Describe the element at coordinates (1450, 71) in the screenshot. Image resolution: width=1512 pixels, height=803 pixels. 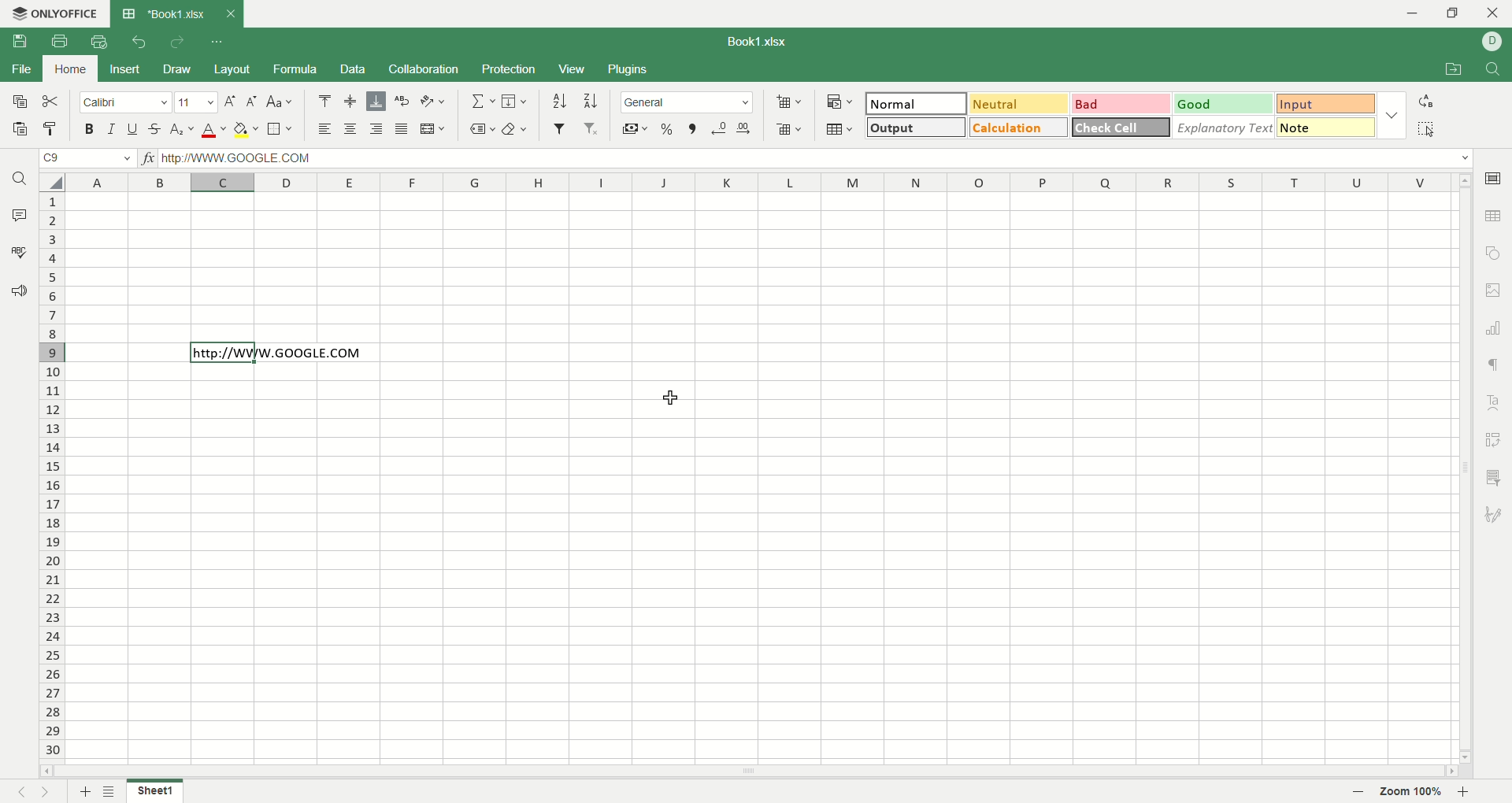
I see `open file location` at that location.